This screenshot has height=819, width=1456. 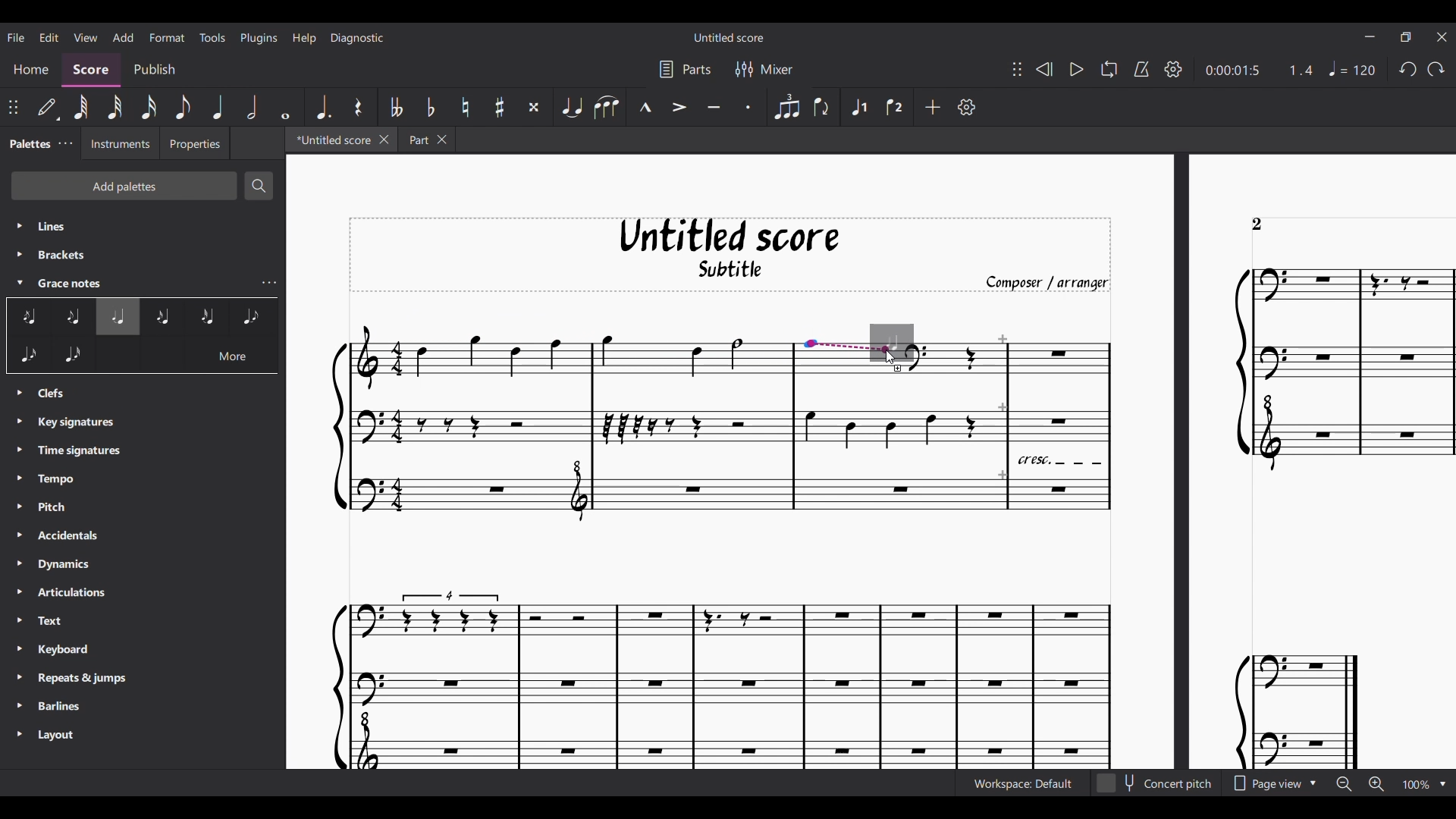 I want to click on Customize toolbar, so click(x=967, y=107).